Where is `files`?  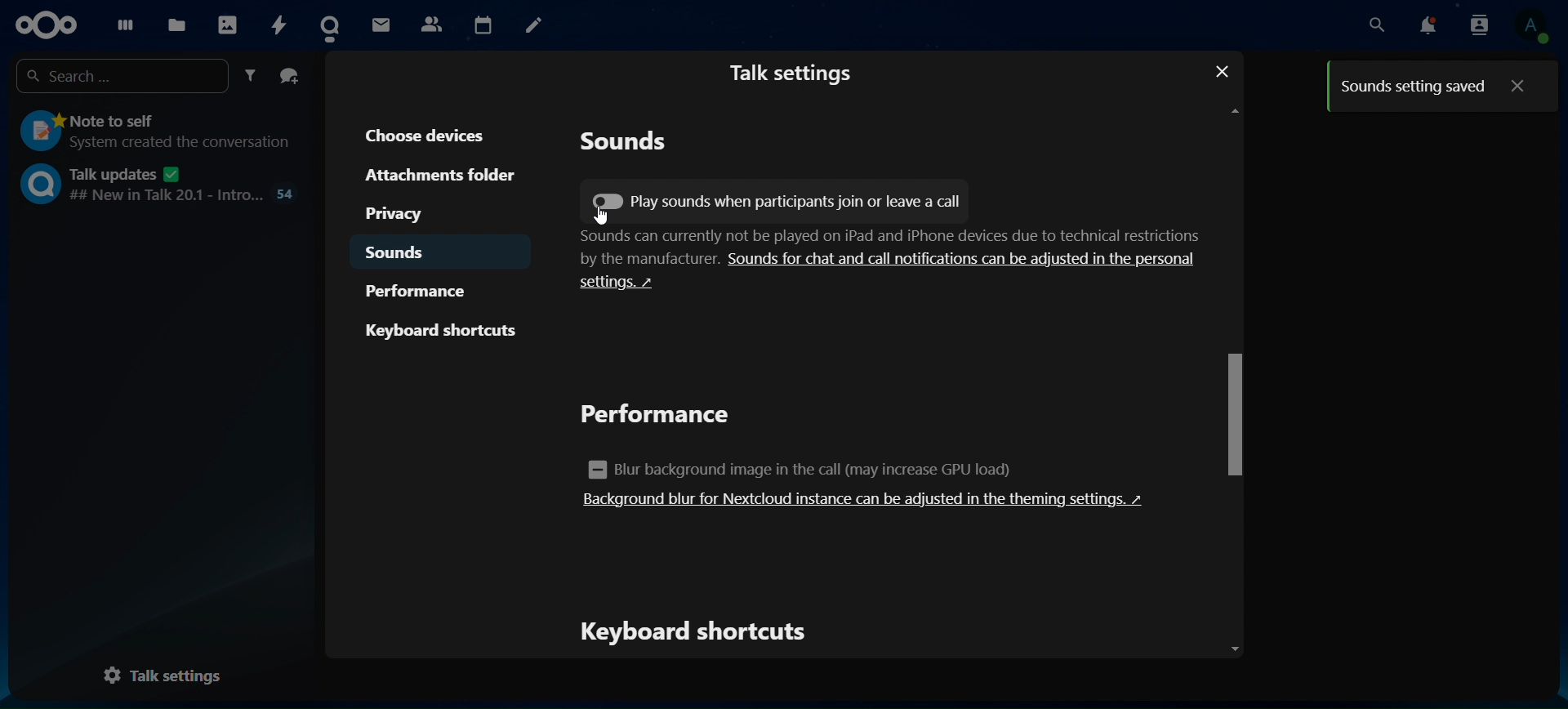 files is located at coordinates (177, 22).